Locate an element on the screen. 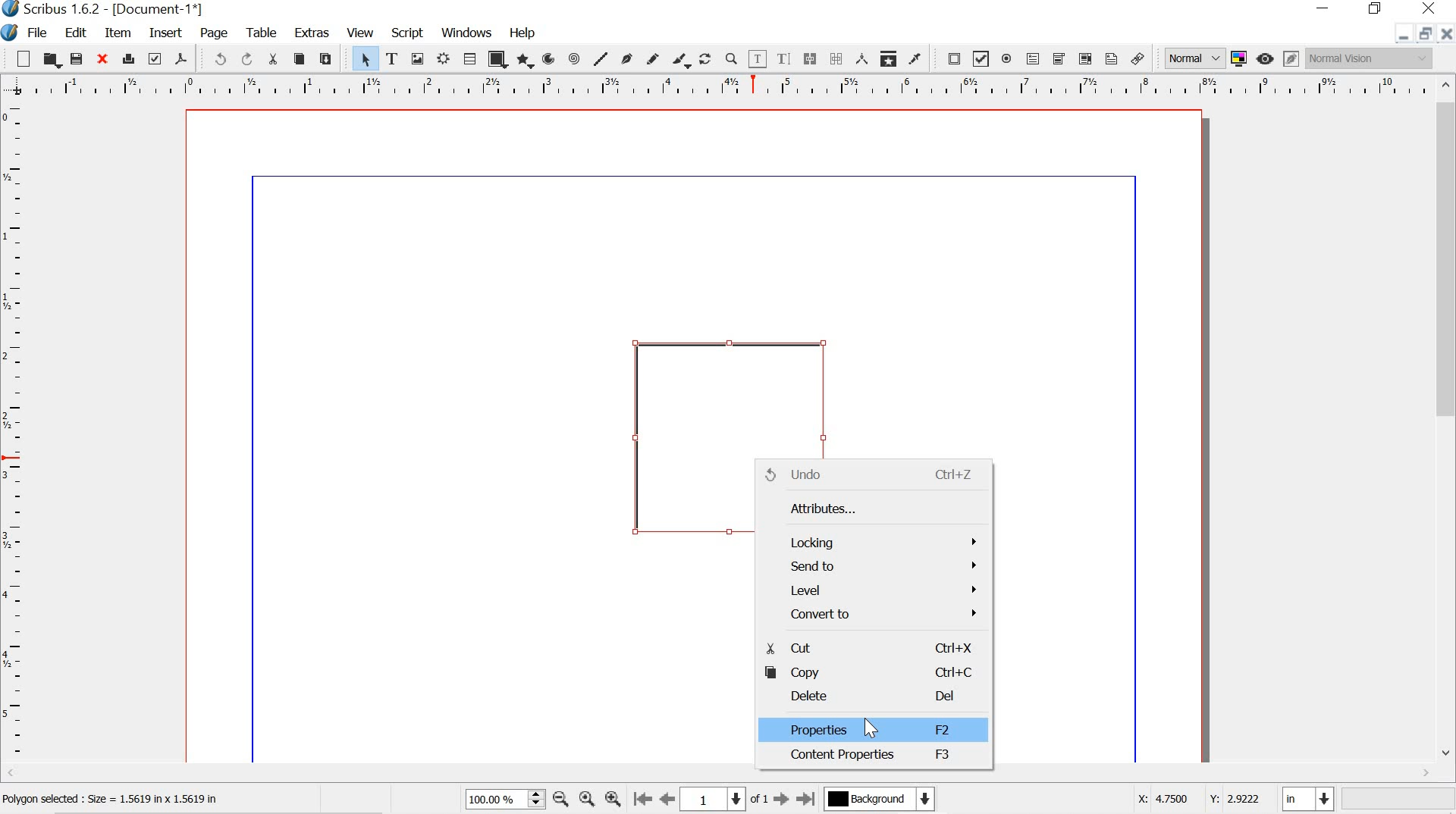 The height and width of the screenshot is (814, 1456). eye dropper is located at coordinates (919, 58).